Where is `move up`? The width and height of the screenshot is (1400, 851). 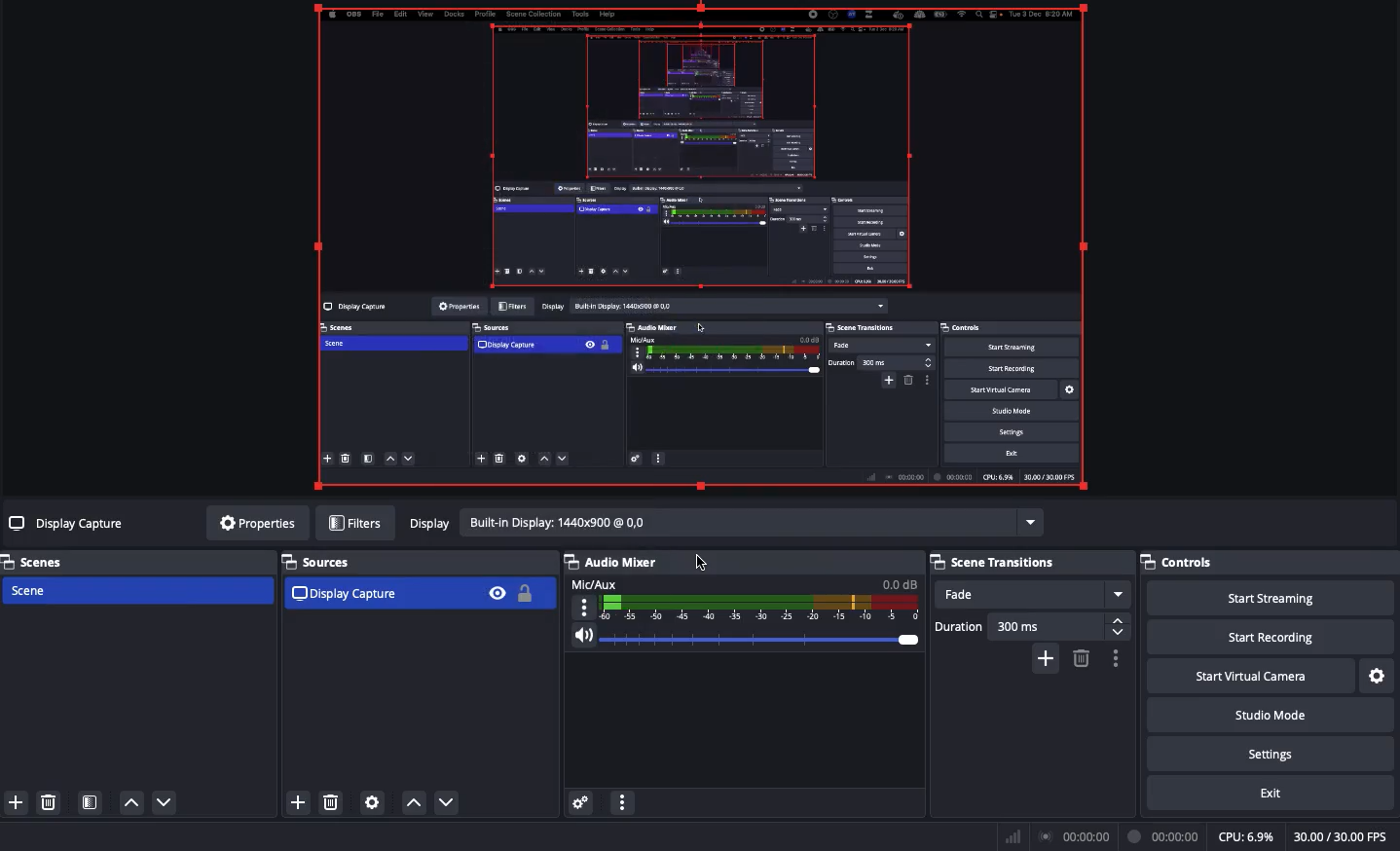 move up is located at coordinates (414, 803).